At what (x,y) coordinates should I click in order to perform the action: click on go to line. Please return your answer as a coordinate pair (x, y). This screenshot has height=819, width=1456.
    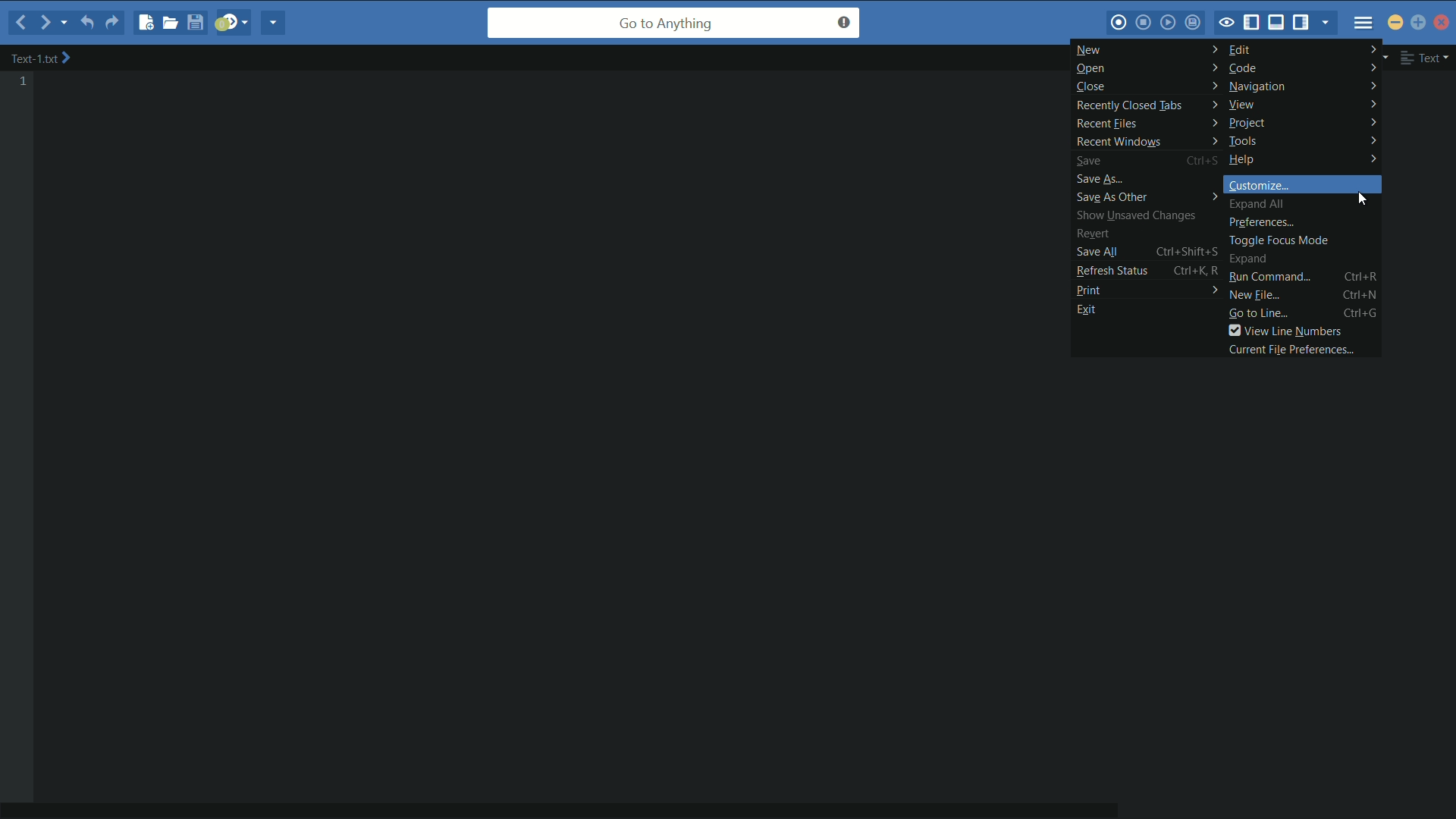
    Looking at the image, I should click on (1258, 313).